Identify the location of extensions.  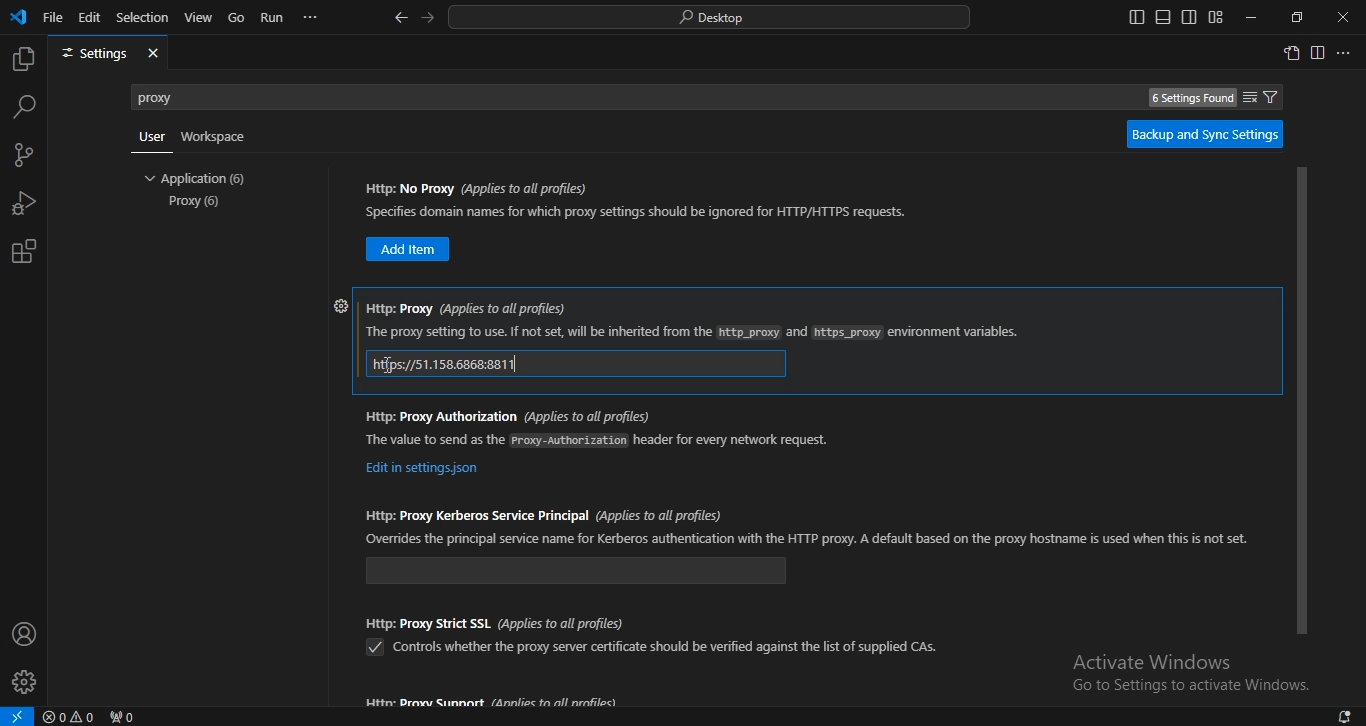
(26, 252).